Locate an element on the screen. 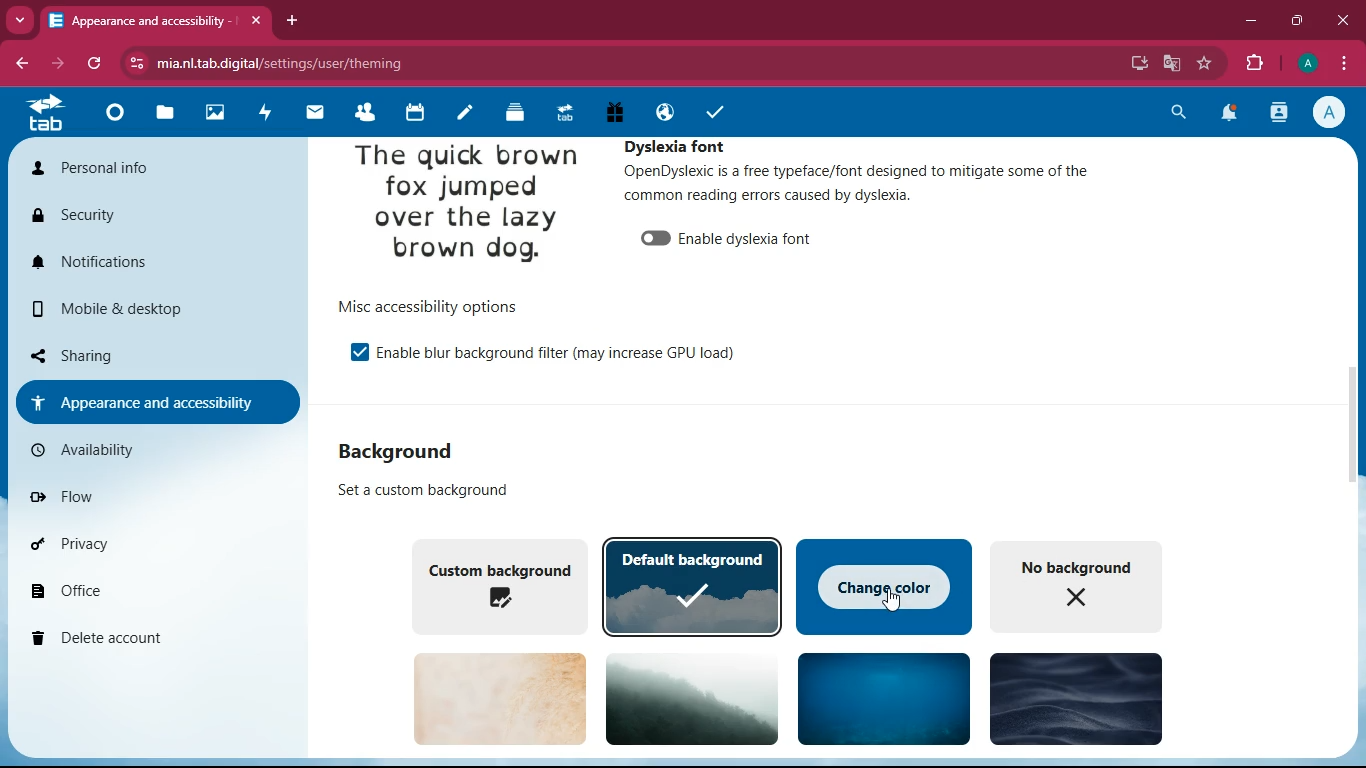 The width and height of the screenshot is (1366, 768). background is located at coordinates (500, 698).